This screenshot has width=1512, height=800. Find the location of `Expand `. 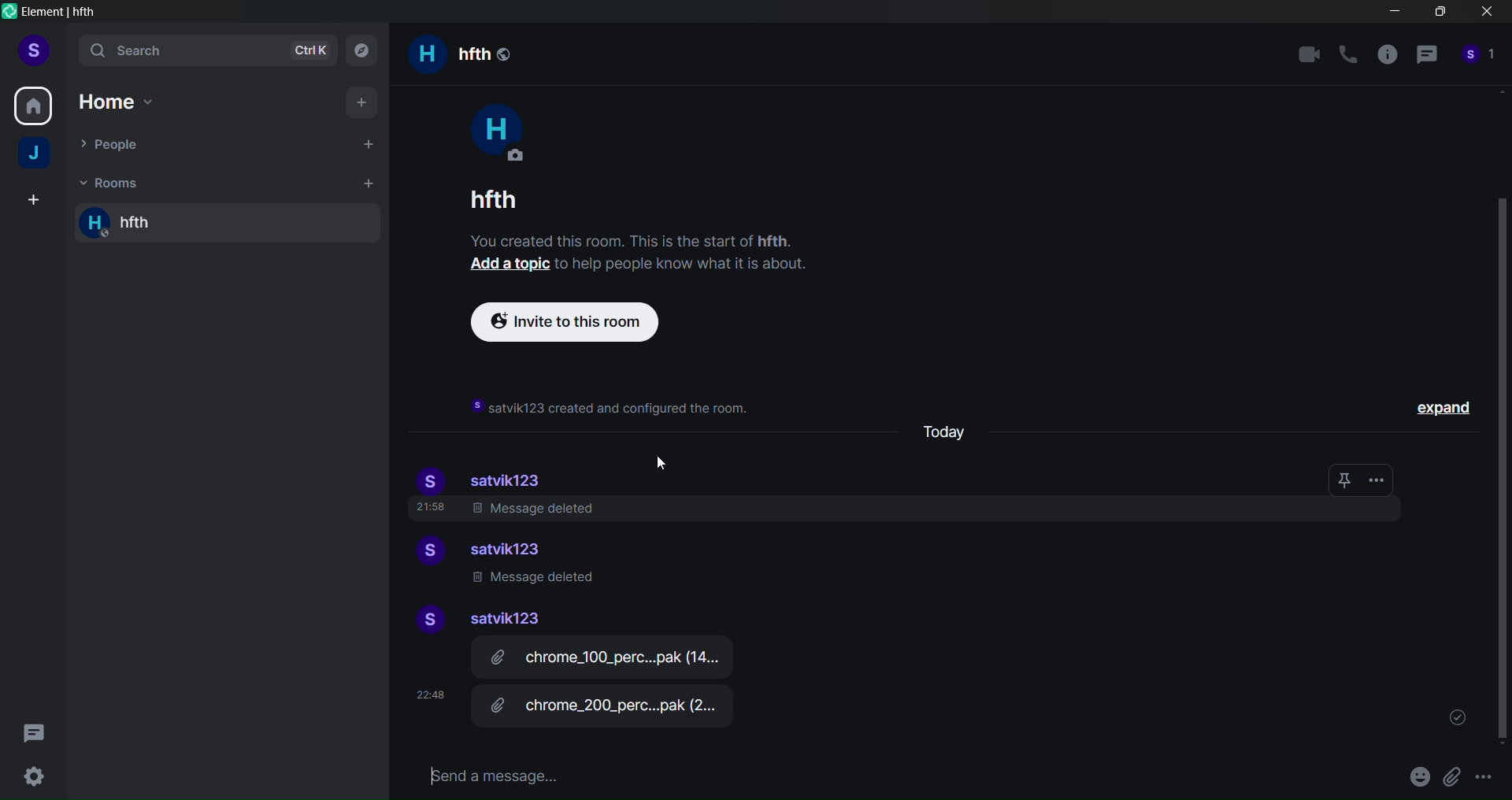

Expand  is located at coordinates (1431, 406).